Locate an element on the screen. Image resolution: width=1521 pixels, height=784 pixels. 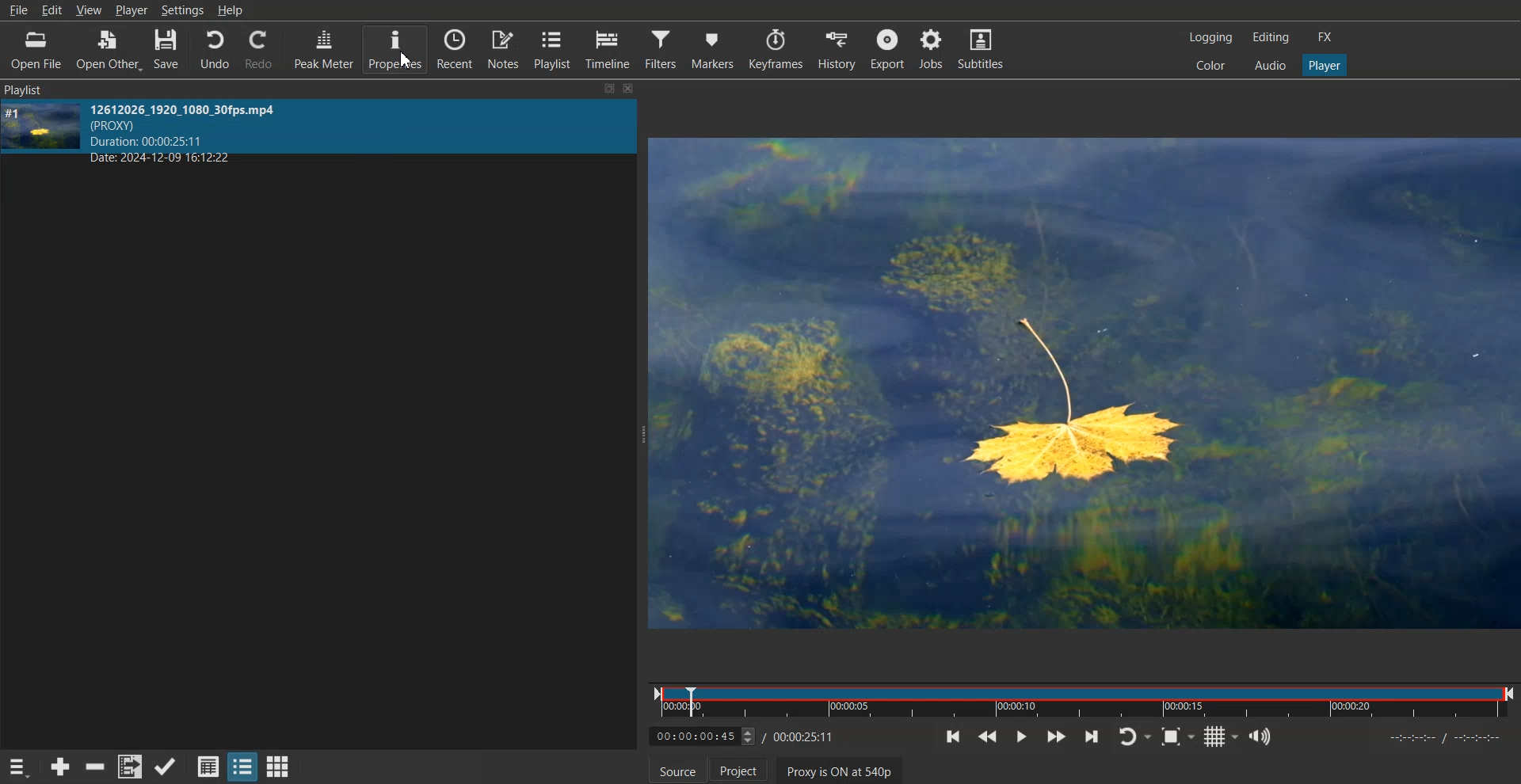
resize is located at coordinates (603, 87).